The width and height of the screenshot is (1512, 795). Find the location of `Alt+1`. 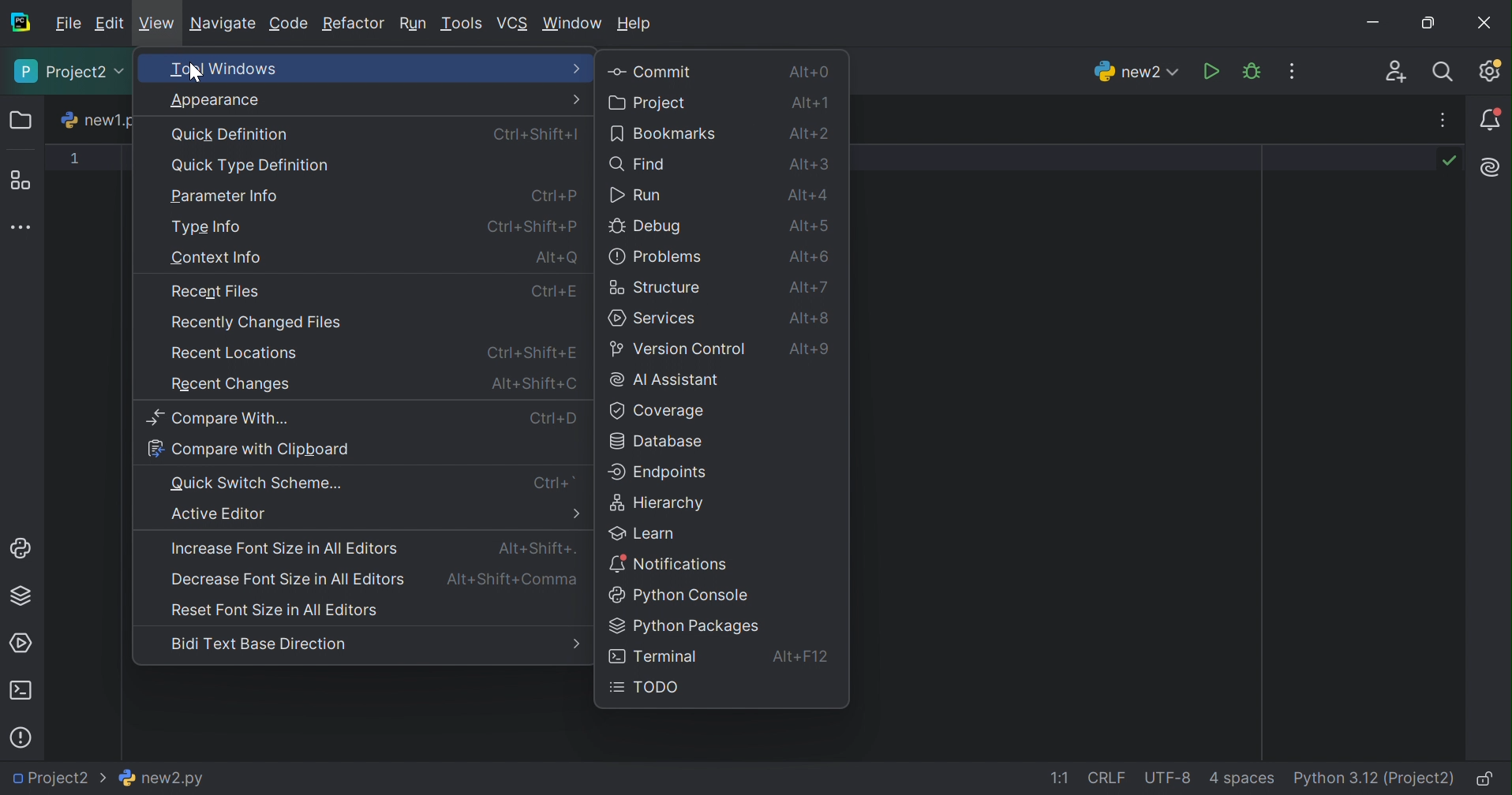

Alt+1 is located at coordinates (807, 103).